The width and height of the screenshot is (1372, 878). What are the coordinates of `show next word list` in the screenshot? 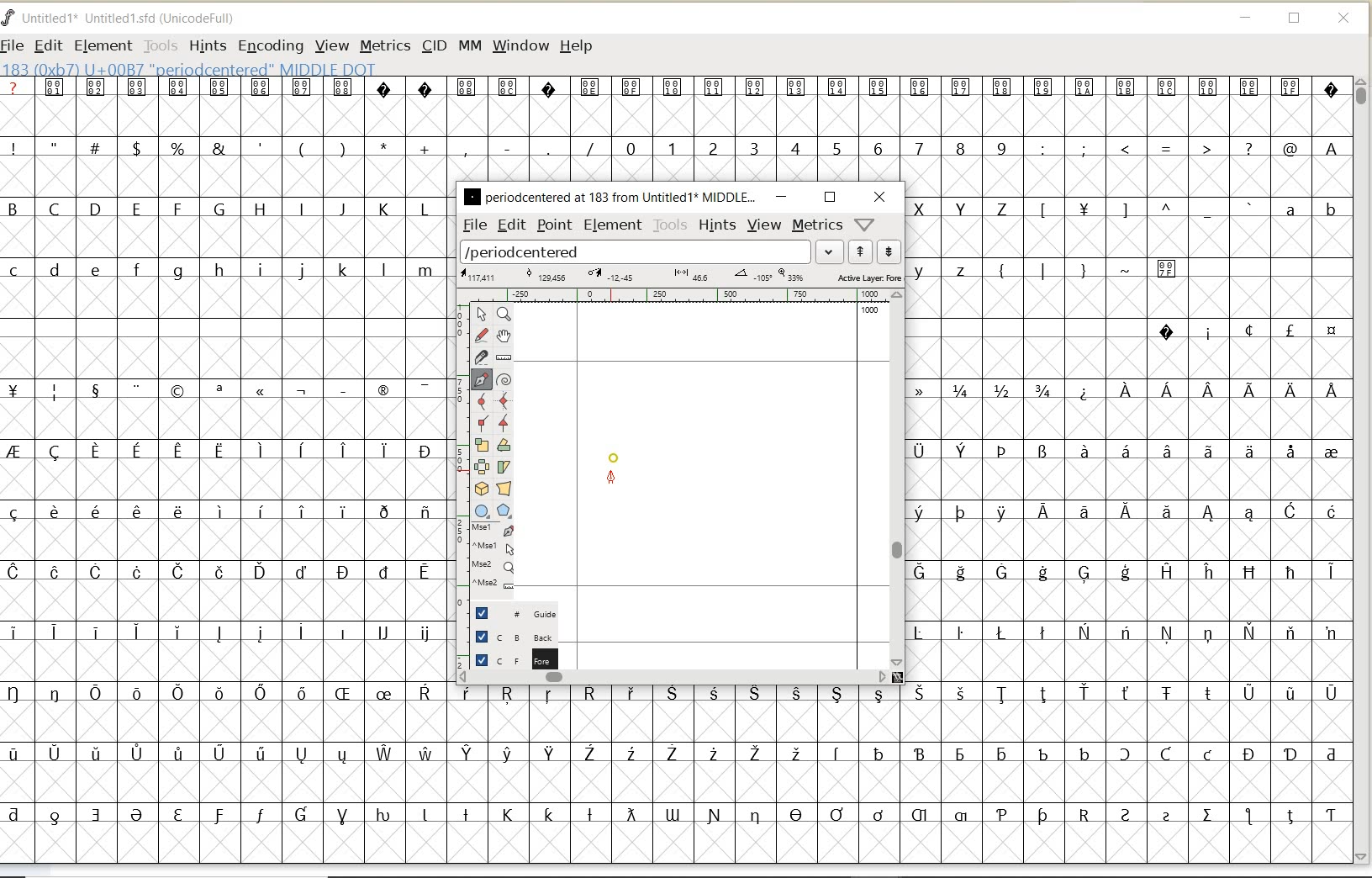 It's located at (891, 252).